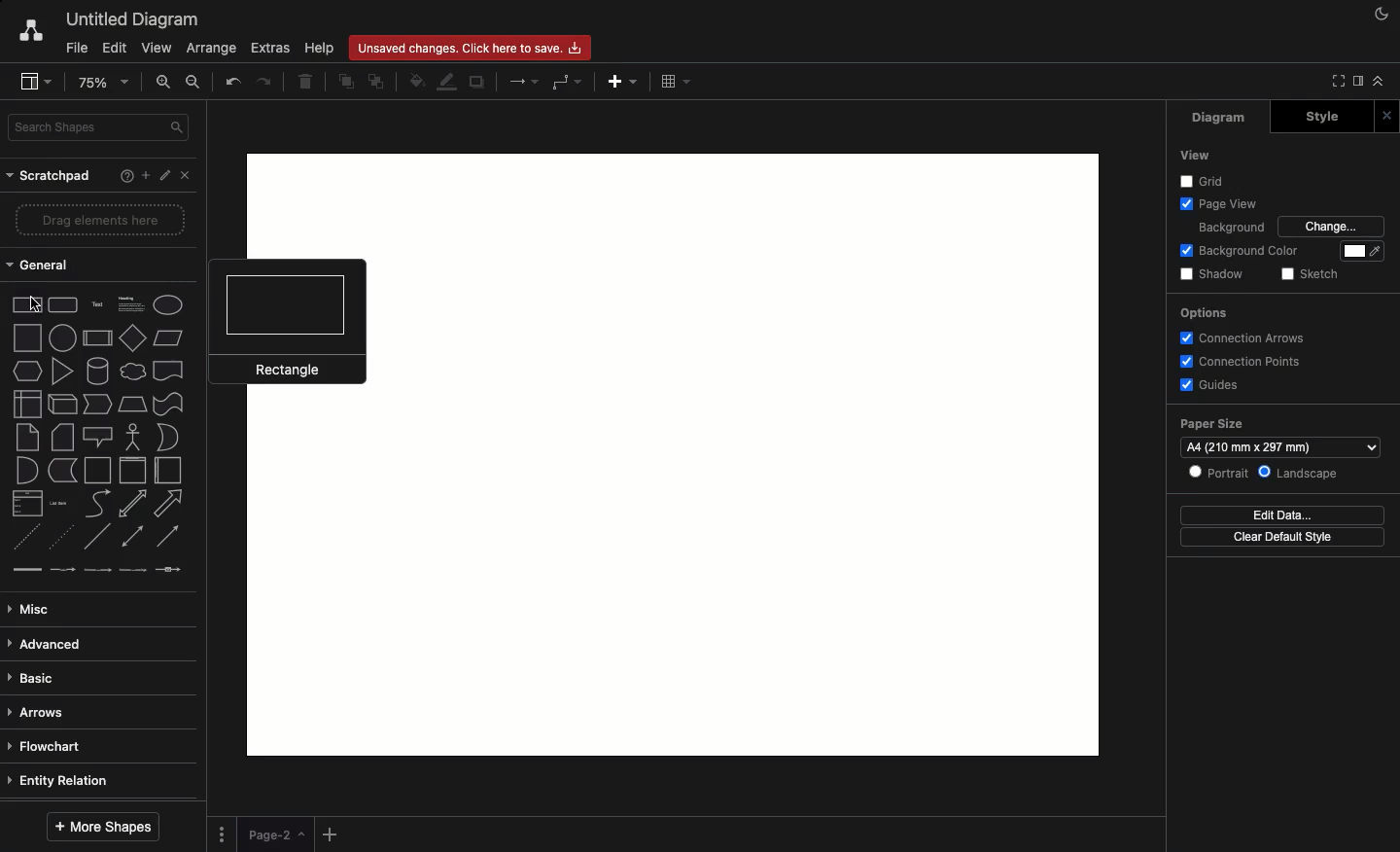 This screenshot has width=1400, height=852. Describe the element at coordinates (1287, 515) in the screenshot. I see `Edit data` at that location.